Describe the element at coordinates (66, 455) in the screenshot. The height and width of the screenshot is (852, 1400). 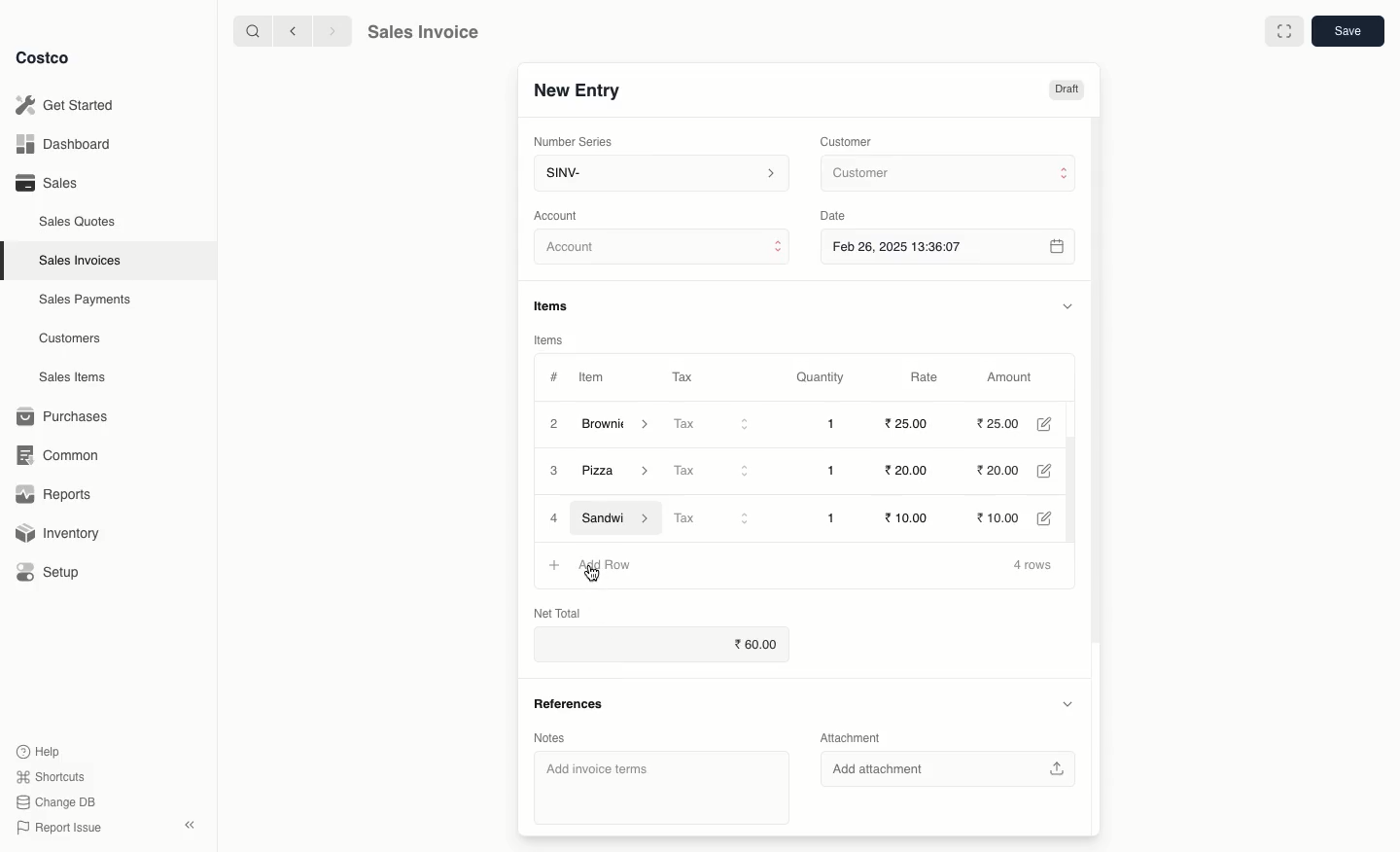
I see `Common` at that location.